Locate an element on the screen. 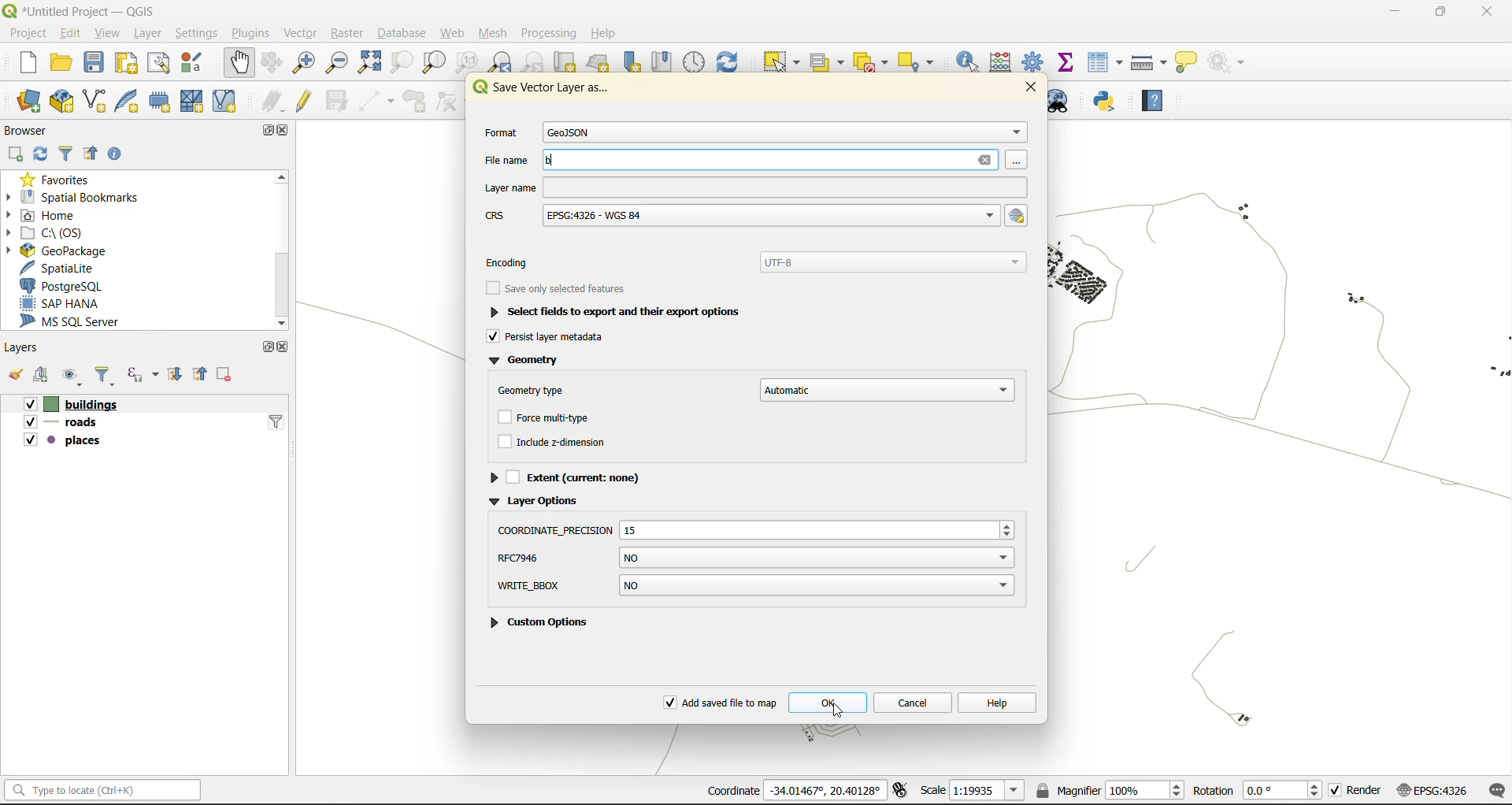 This screenshot has height=805, width=1512. metasearch is located at coordinates (1064, 102).